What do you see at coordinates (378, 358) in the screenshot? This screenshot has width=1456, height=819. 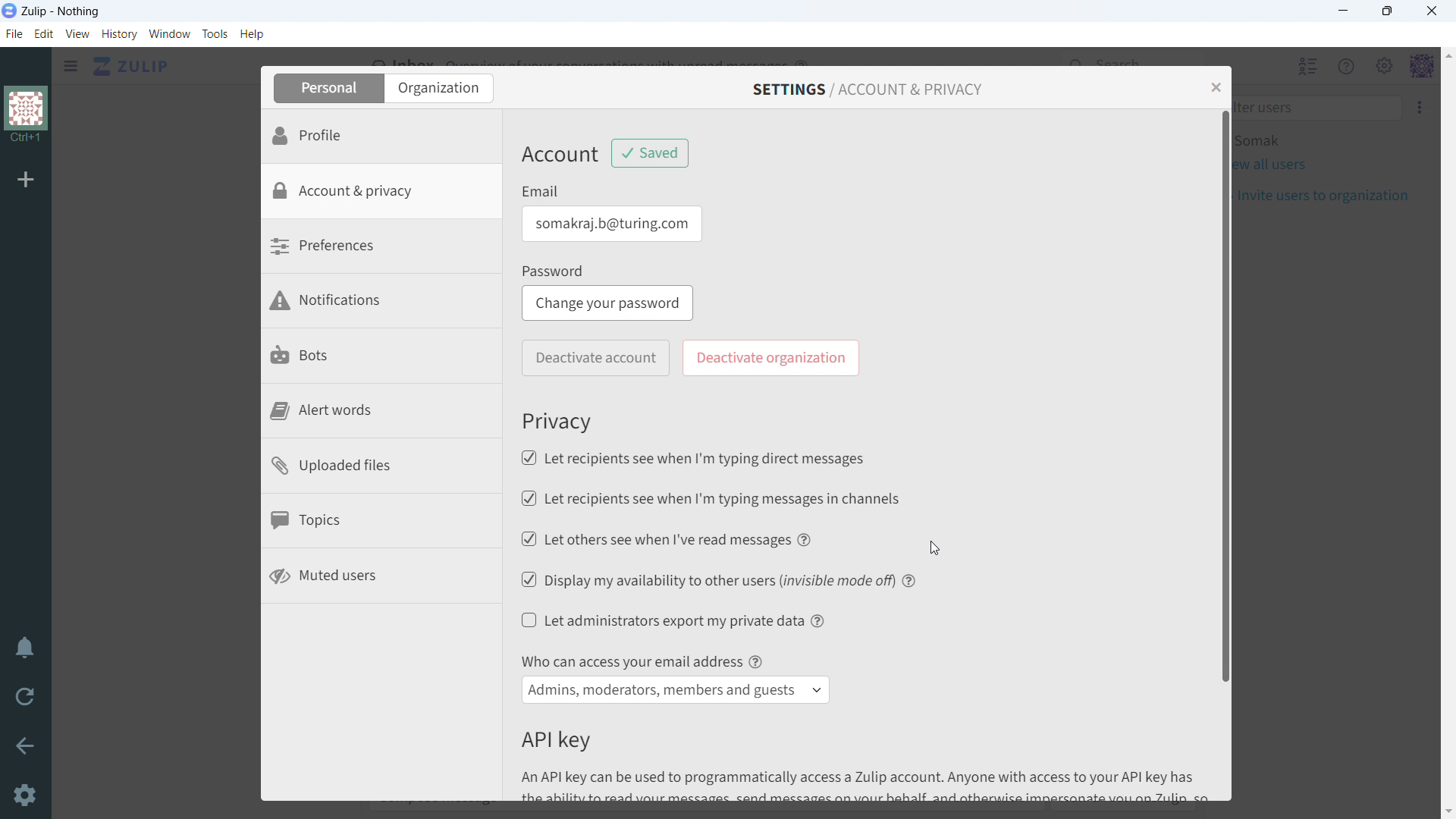 I see `bots` at bounding box center [378, 358].